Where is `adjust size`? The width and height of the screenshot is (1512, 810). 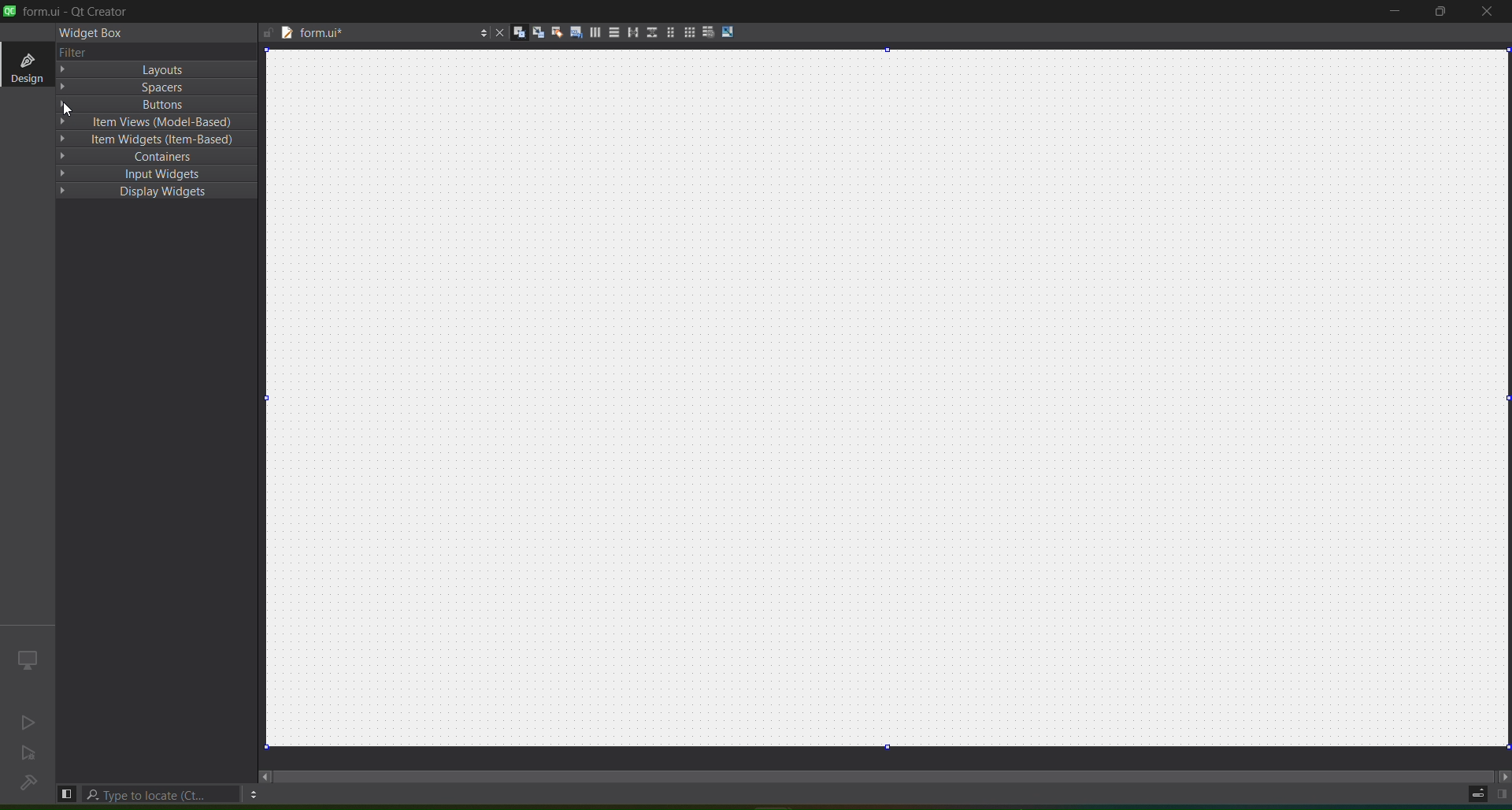
adjust size is located at coordinates (728, 32).